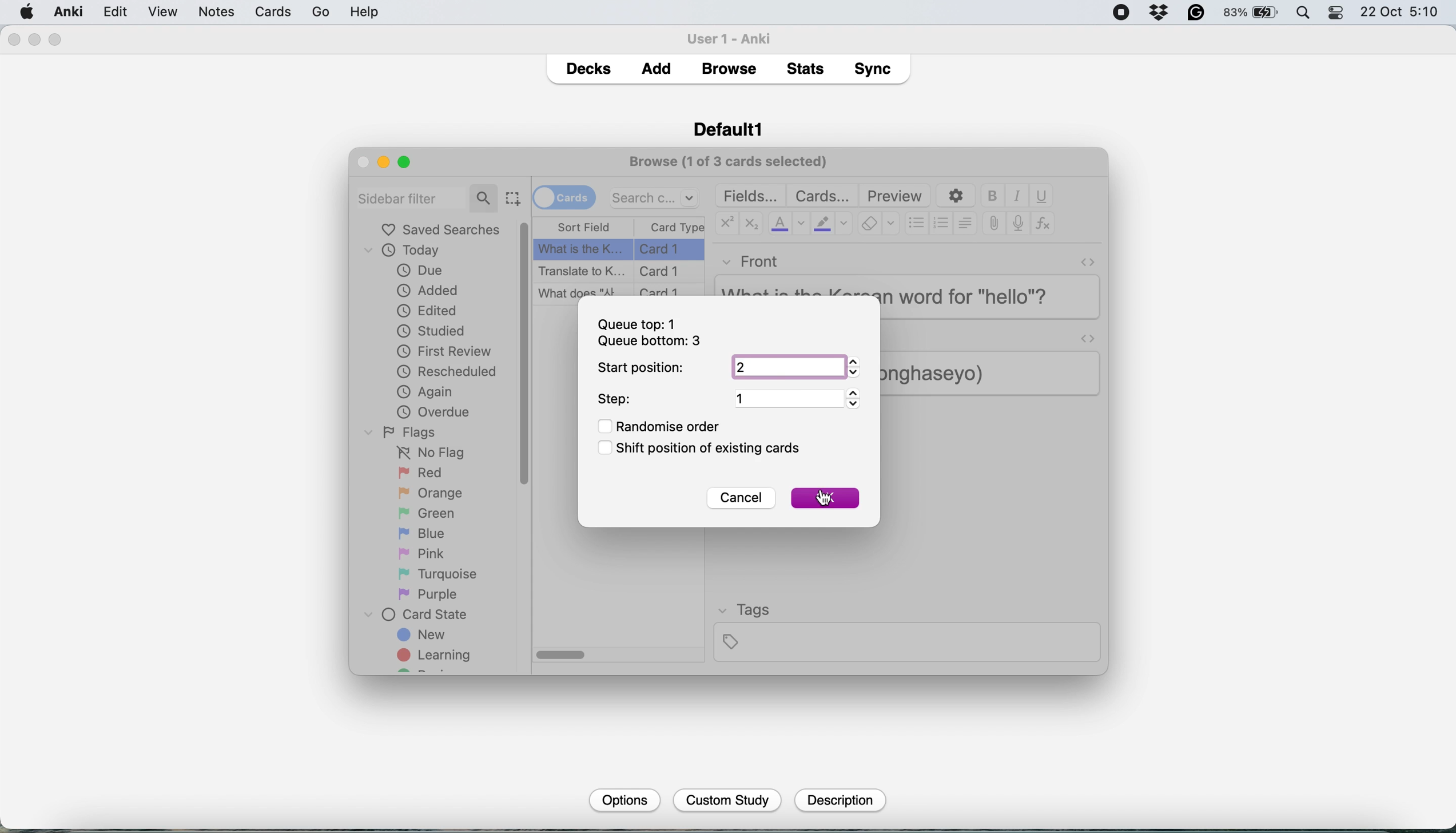 This screenshot has width=1456, height=833. Describe the element at coordinates (994, 224) in the screenshot. I see `attachment` at that location.